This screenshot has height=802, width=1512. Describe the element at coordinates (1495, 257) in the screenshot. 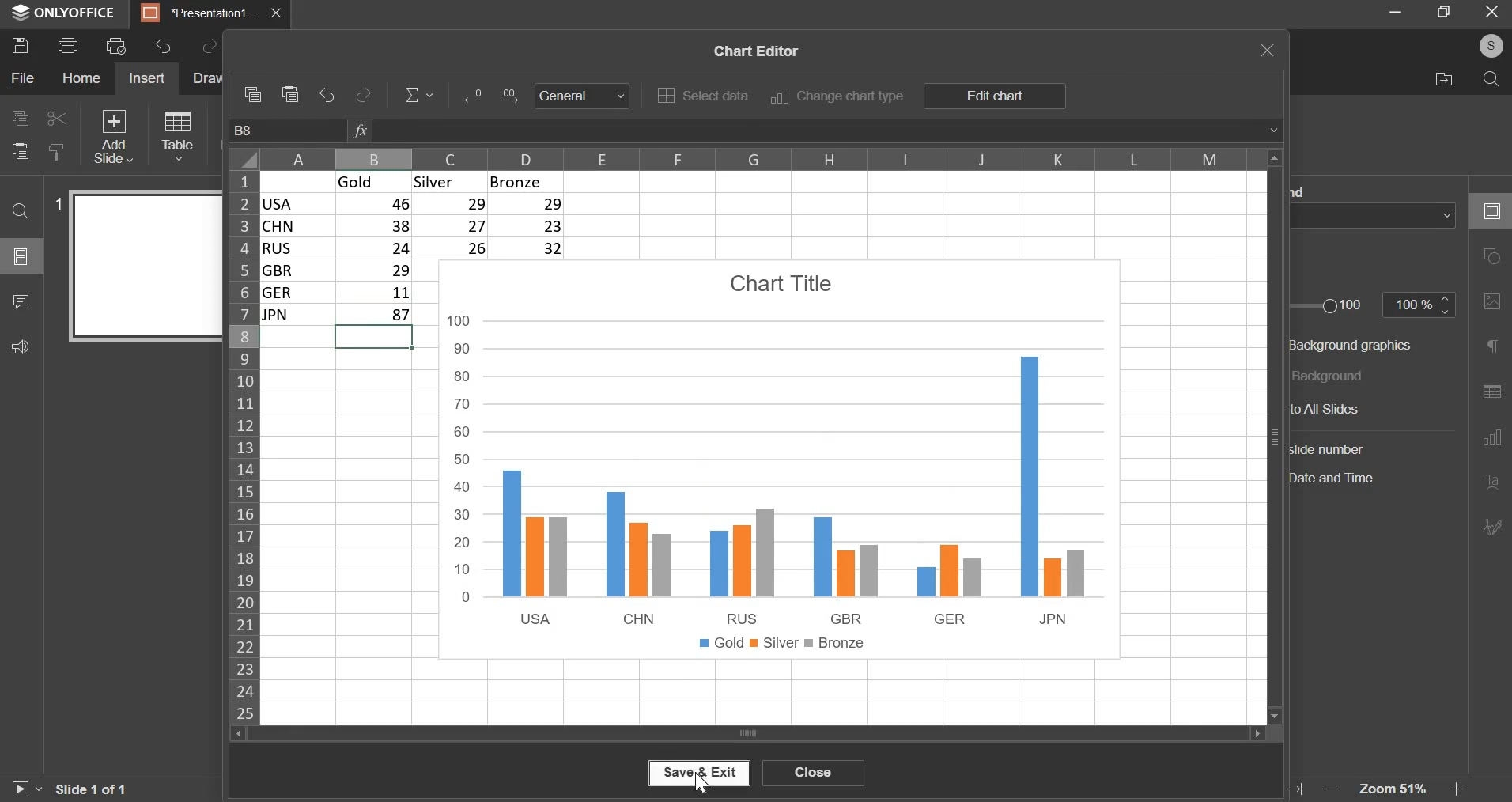

I see `shape settings` at that location.